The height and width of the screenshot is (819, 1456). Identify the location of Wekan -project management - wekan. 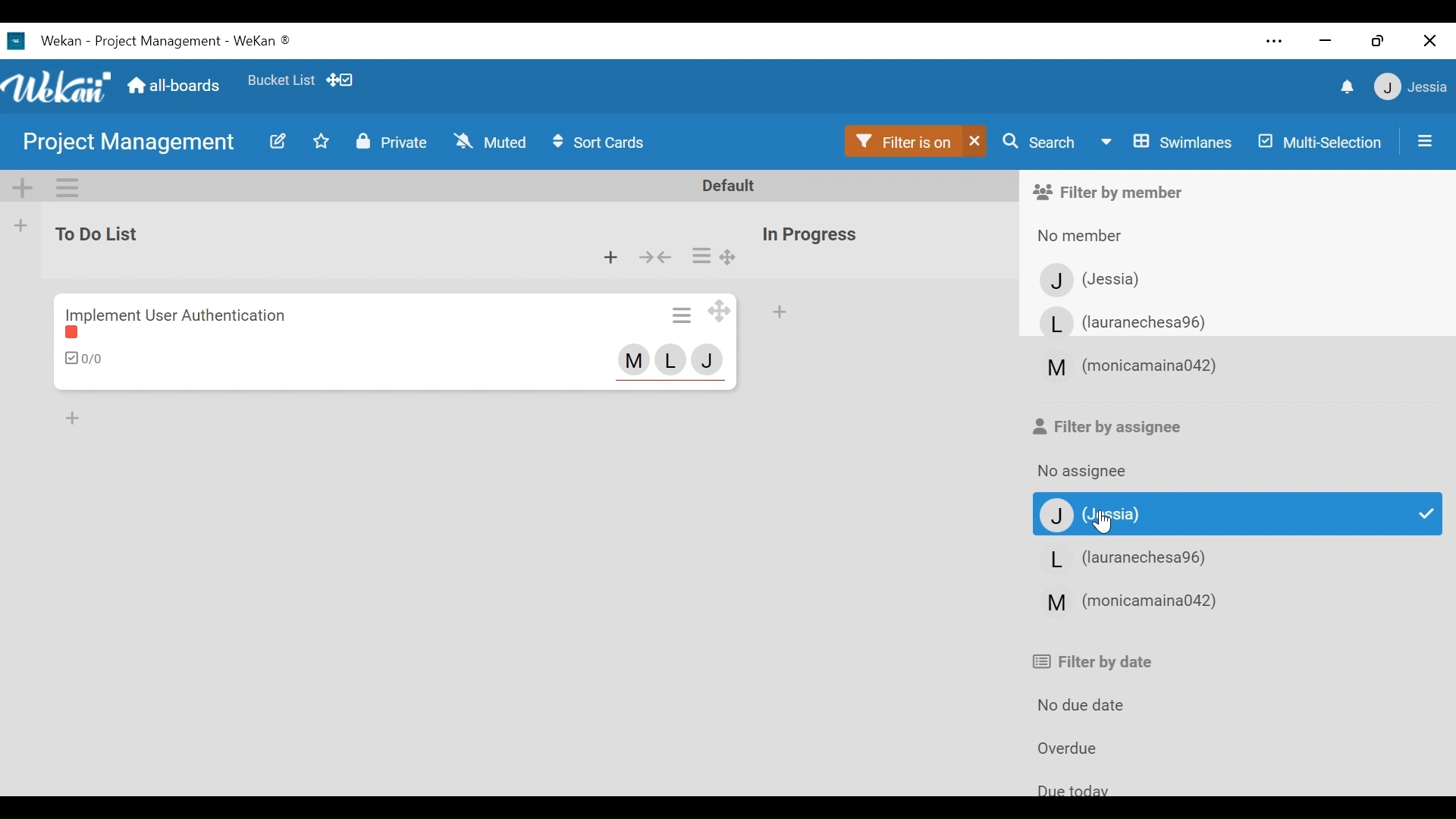
(181, 41).